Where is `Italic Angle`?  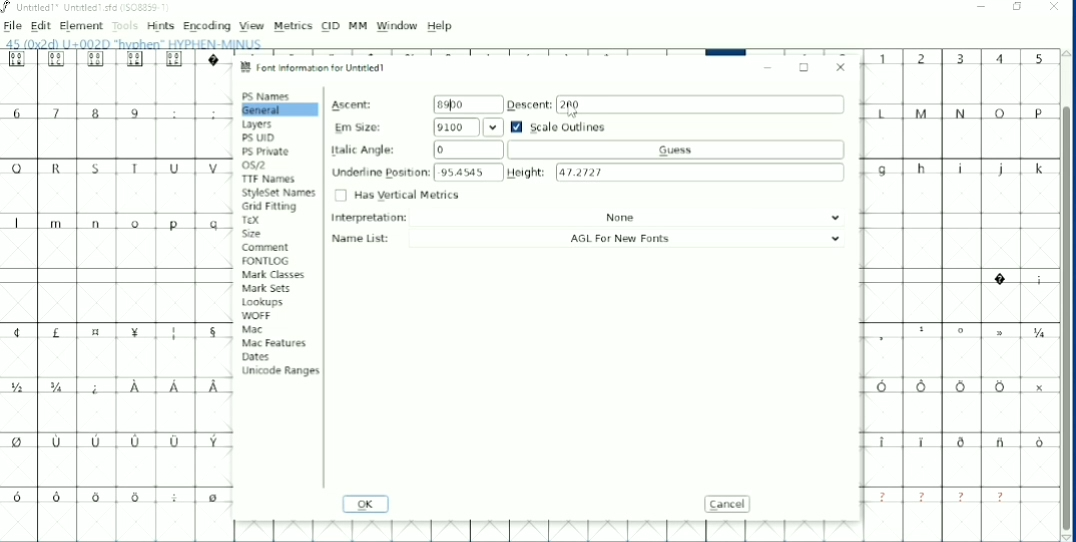 Italic Angle is located at coordinates (579, 149).